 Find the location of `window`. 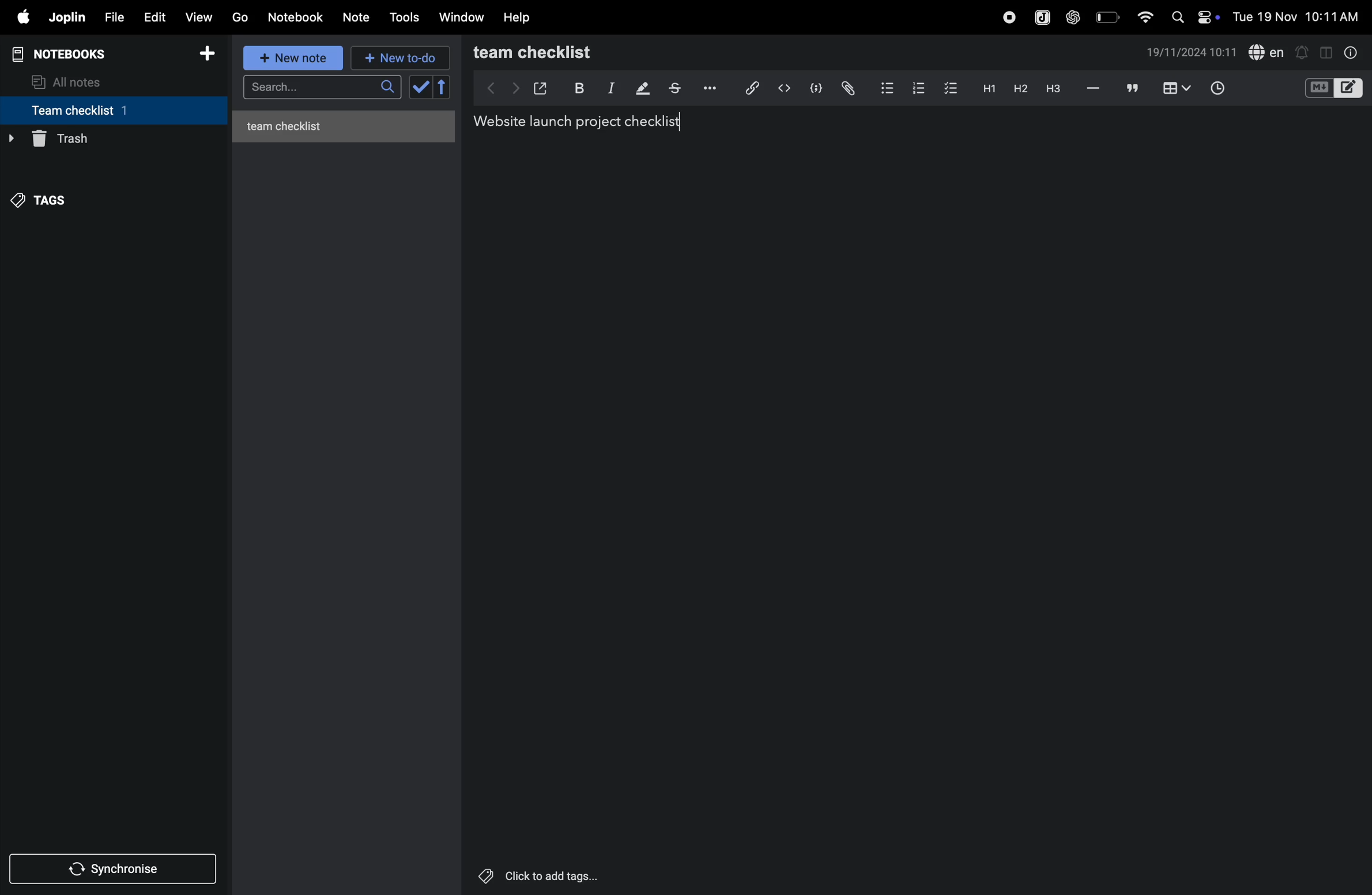

window is located at coordinates (461, 18).